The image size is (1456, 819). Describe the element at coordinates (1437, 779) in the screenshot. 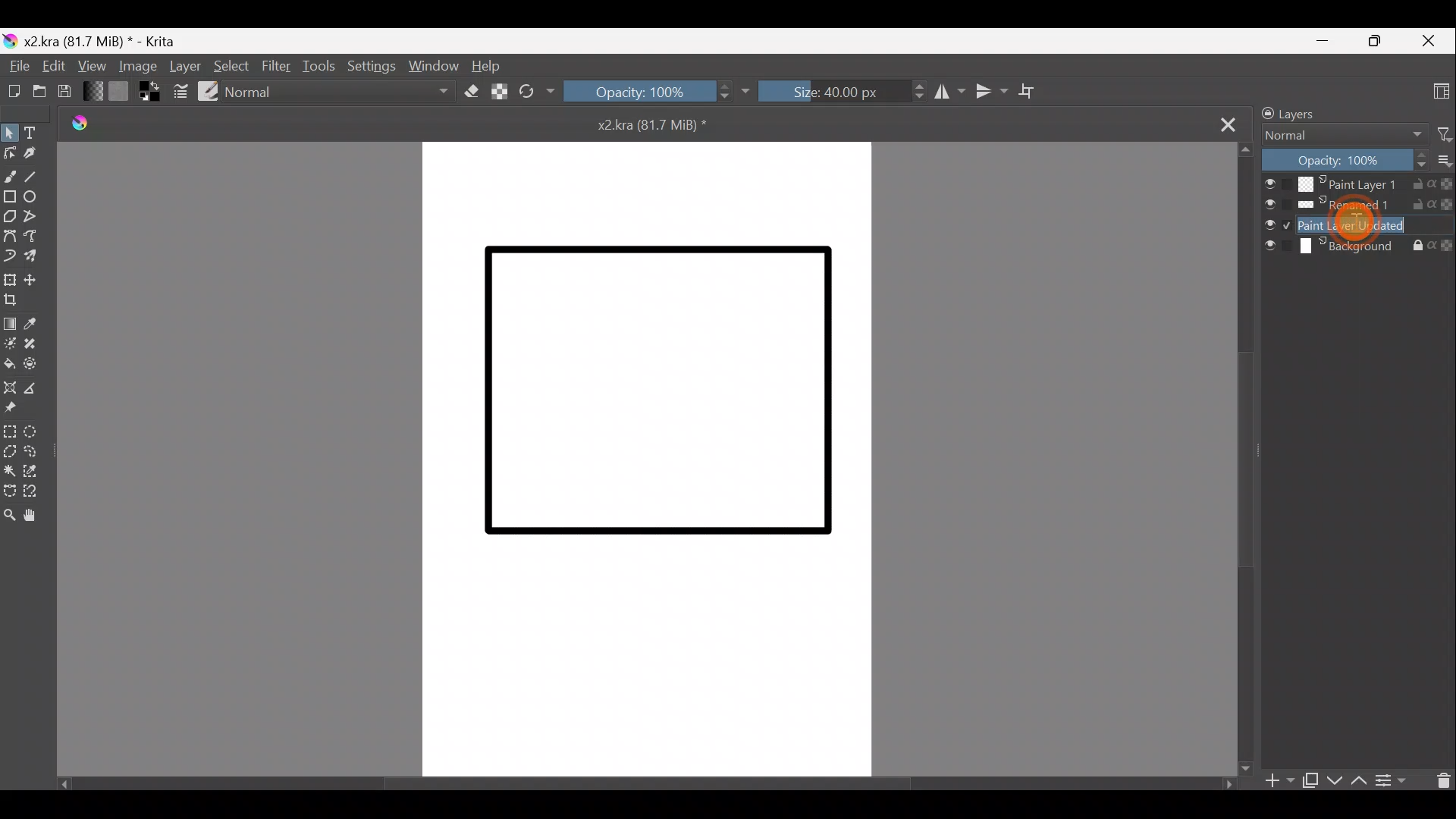

I see `Delete the layer/mask` at that location.